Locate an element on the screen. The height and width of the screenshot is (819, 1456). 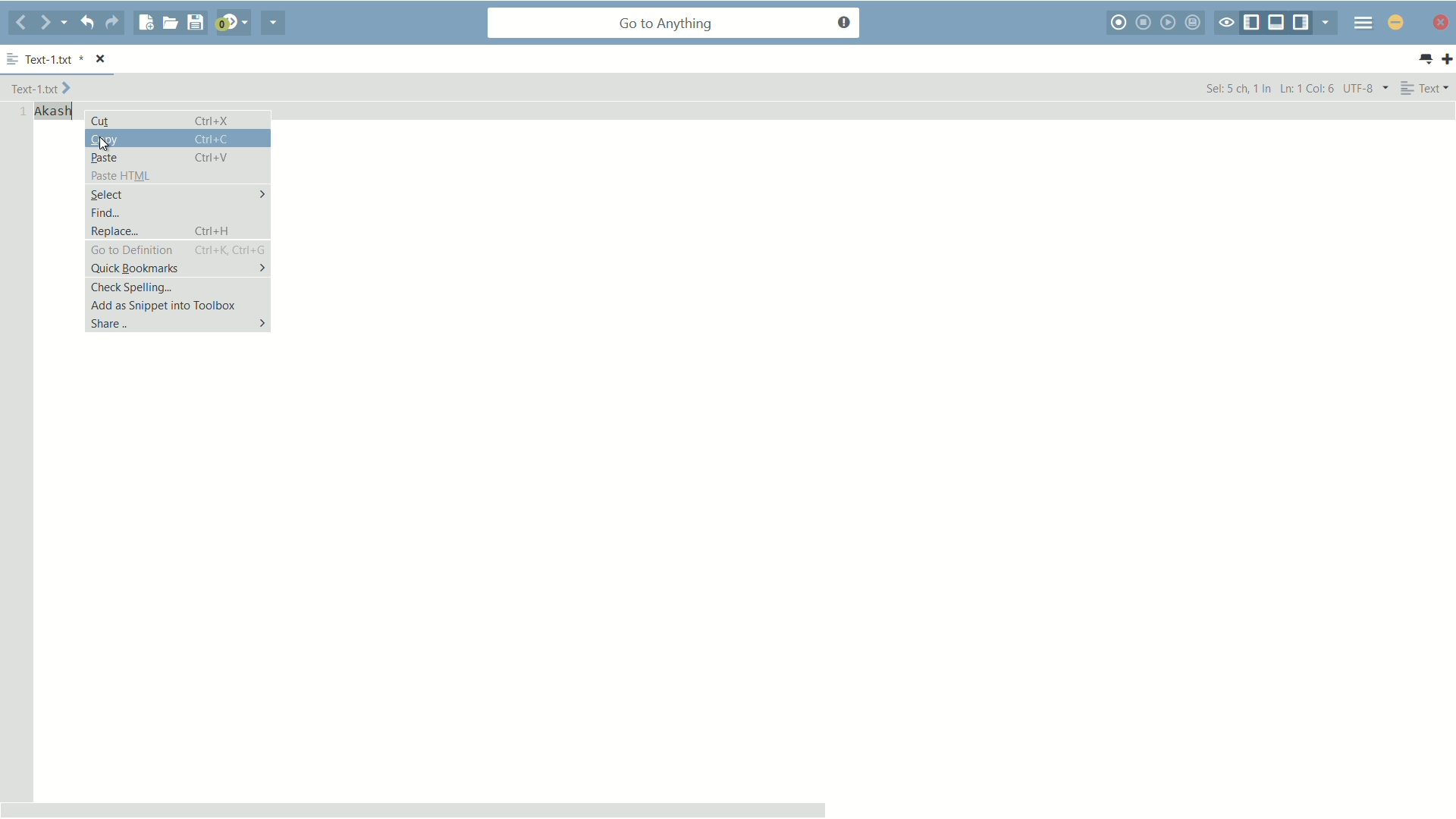
Sel: 5ch, 1 line Line: 1 Column: 6 is located at coordinates (1269, 87).